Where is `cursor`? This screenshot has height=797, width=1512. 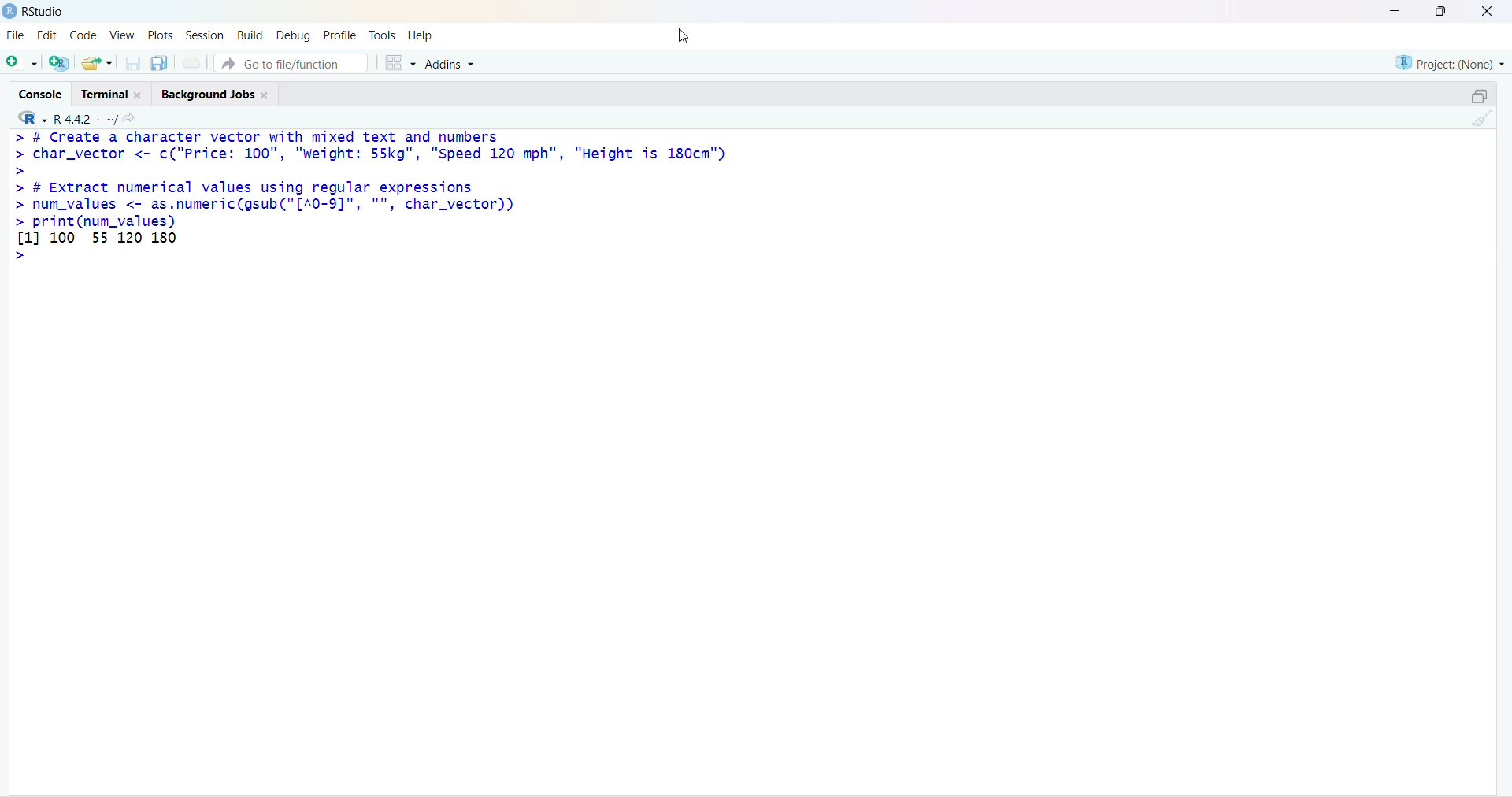 cursor is located at coordinates (682, 38).